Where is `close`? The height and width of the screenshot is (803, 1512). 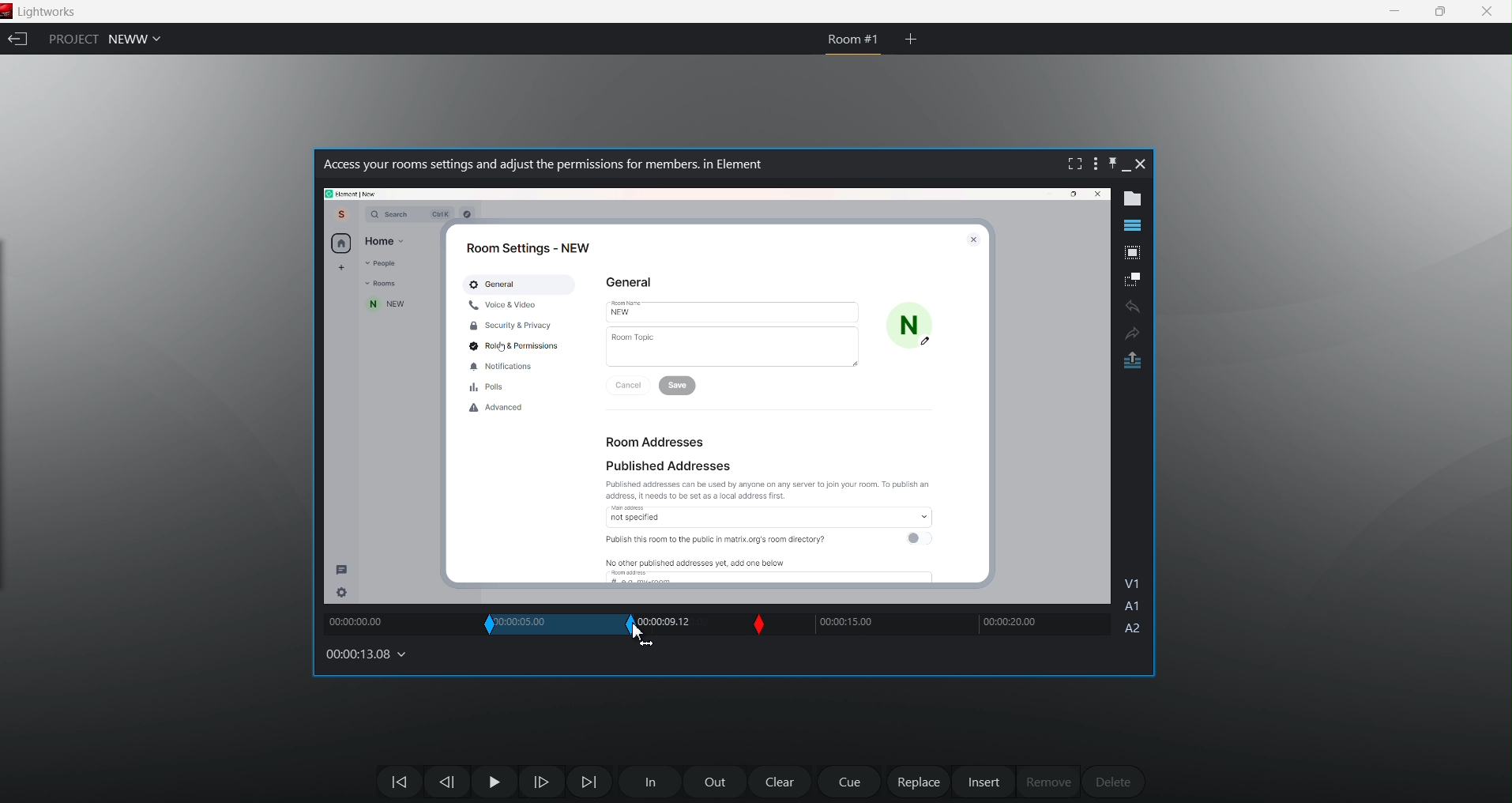
close is located at coordinates (1095, 195).